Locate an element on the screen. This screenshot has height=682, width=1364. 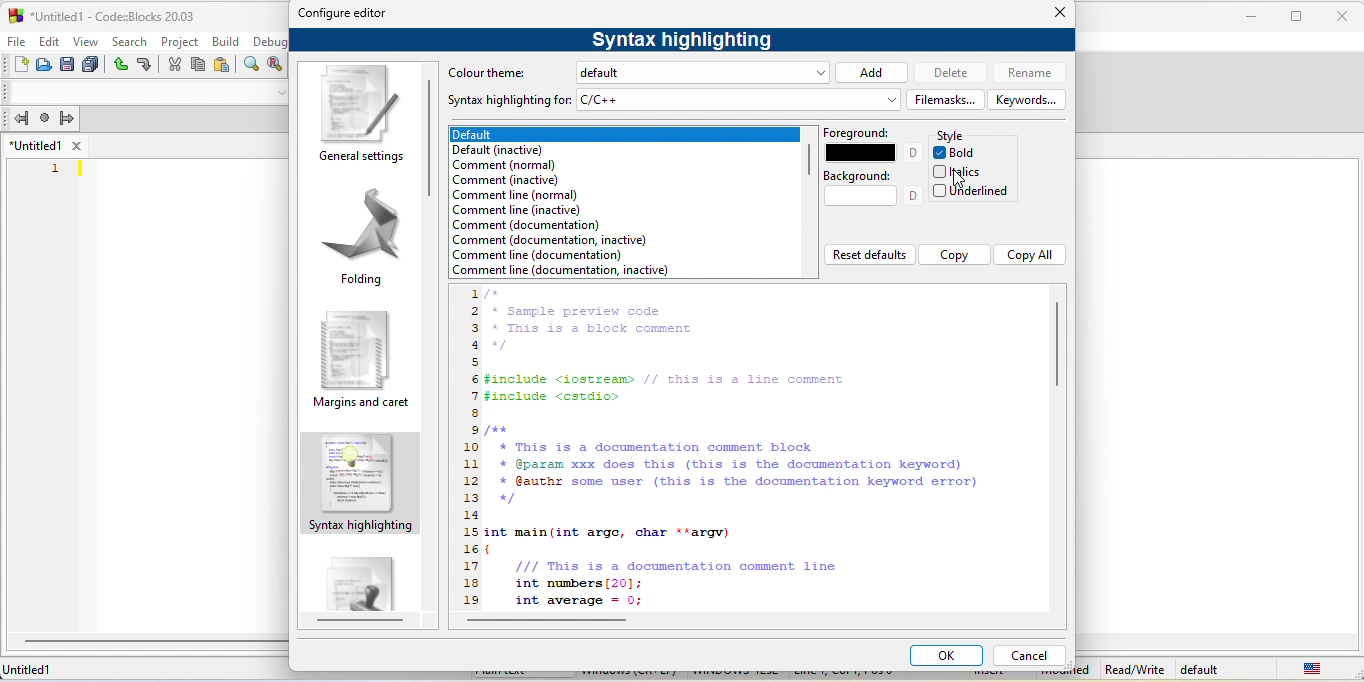
untitled 1 is located at coordinates (35, 145).